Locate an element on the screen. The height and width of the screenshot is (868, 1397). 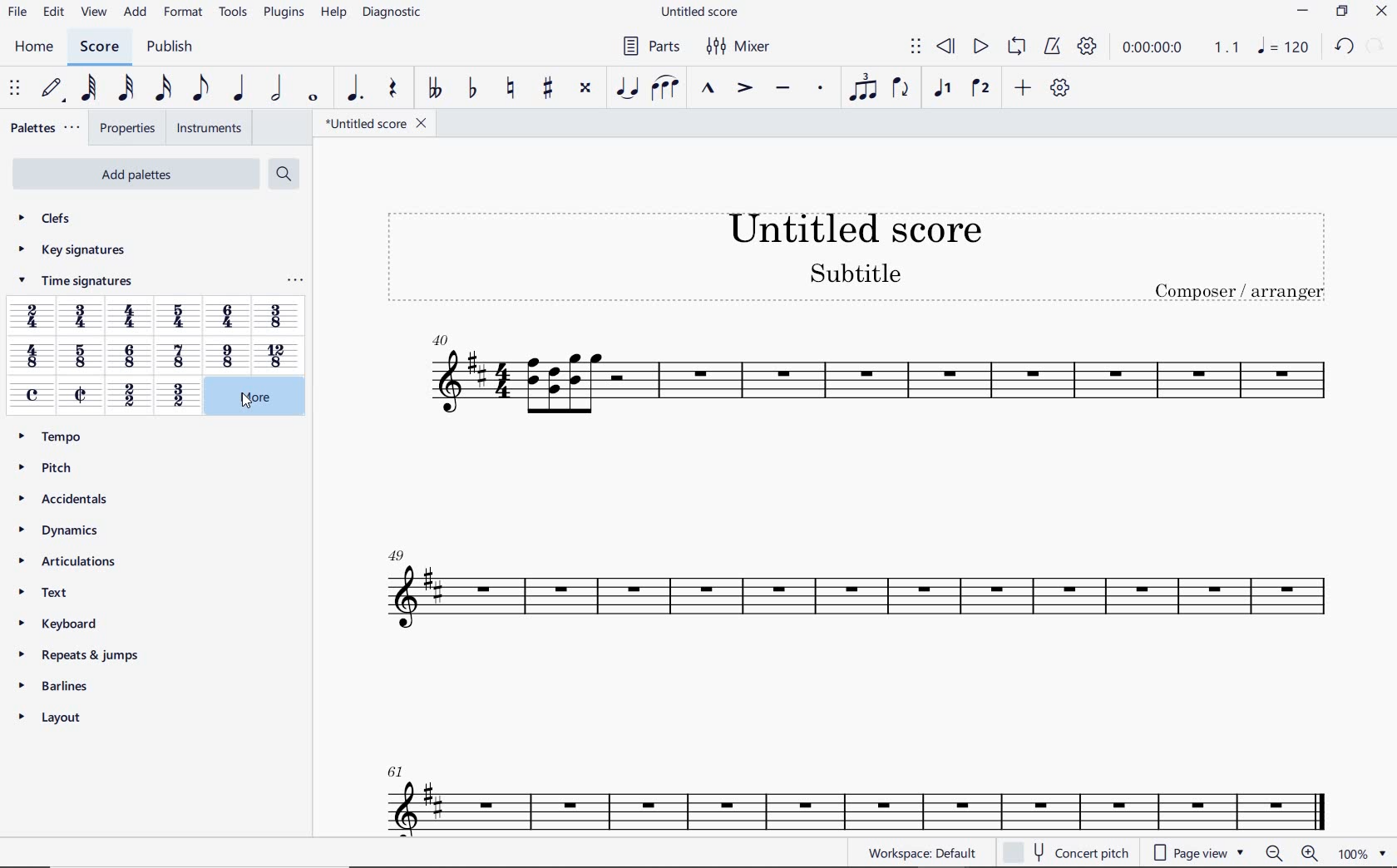
VOICE 2 is located at coordinates (980, 89).